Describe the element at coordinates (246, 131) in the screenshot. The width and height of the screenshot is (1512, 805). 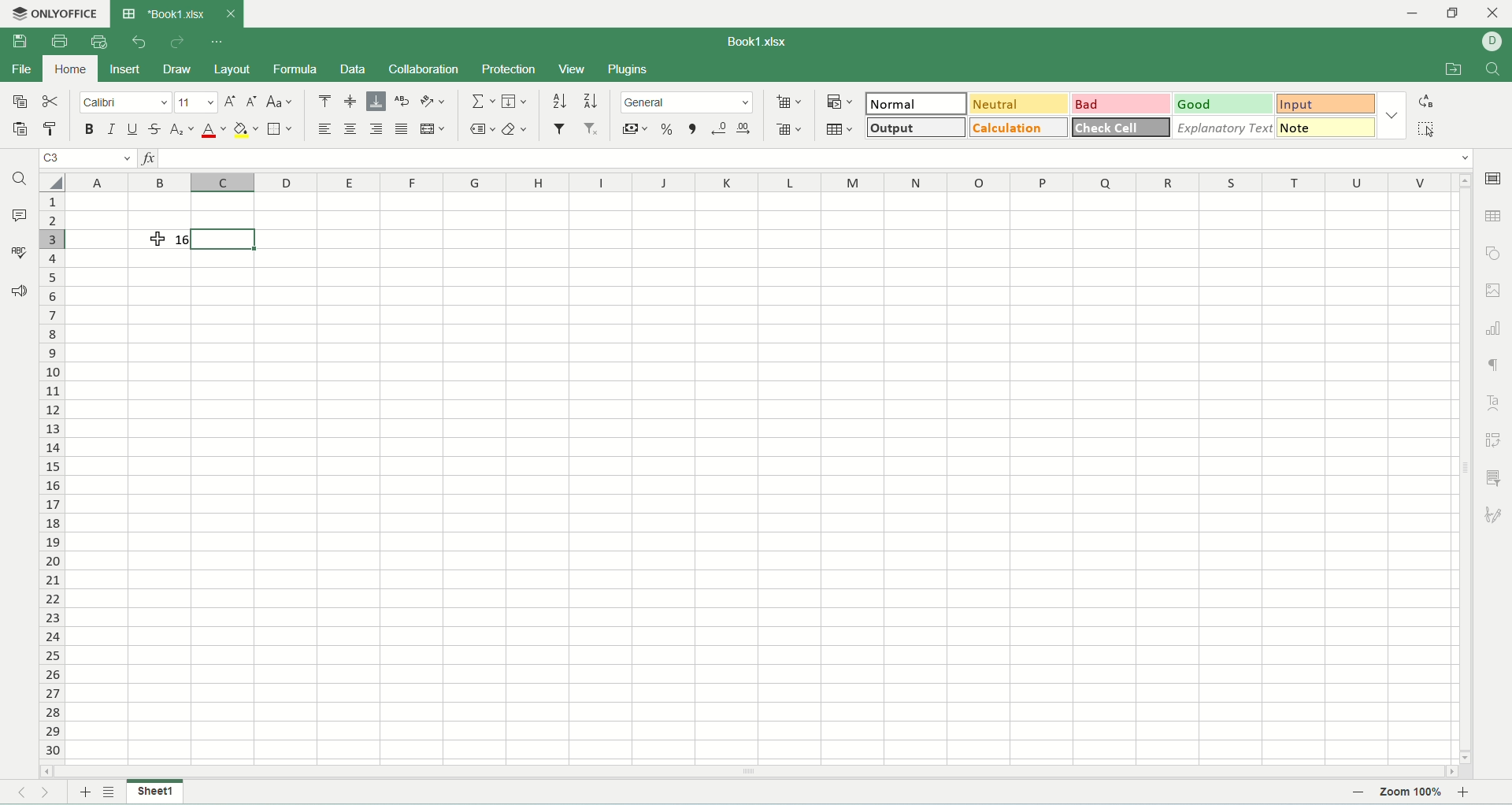
I see `fill color` at that location.